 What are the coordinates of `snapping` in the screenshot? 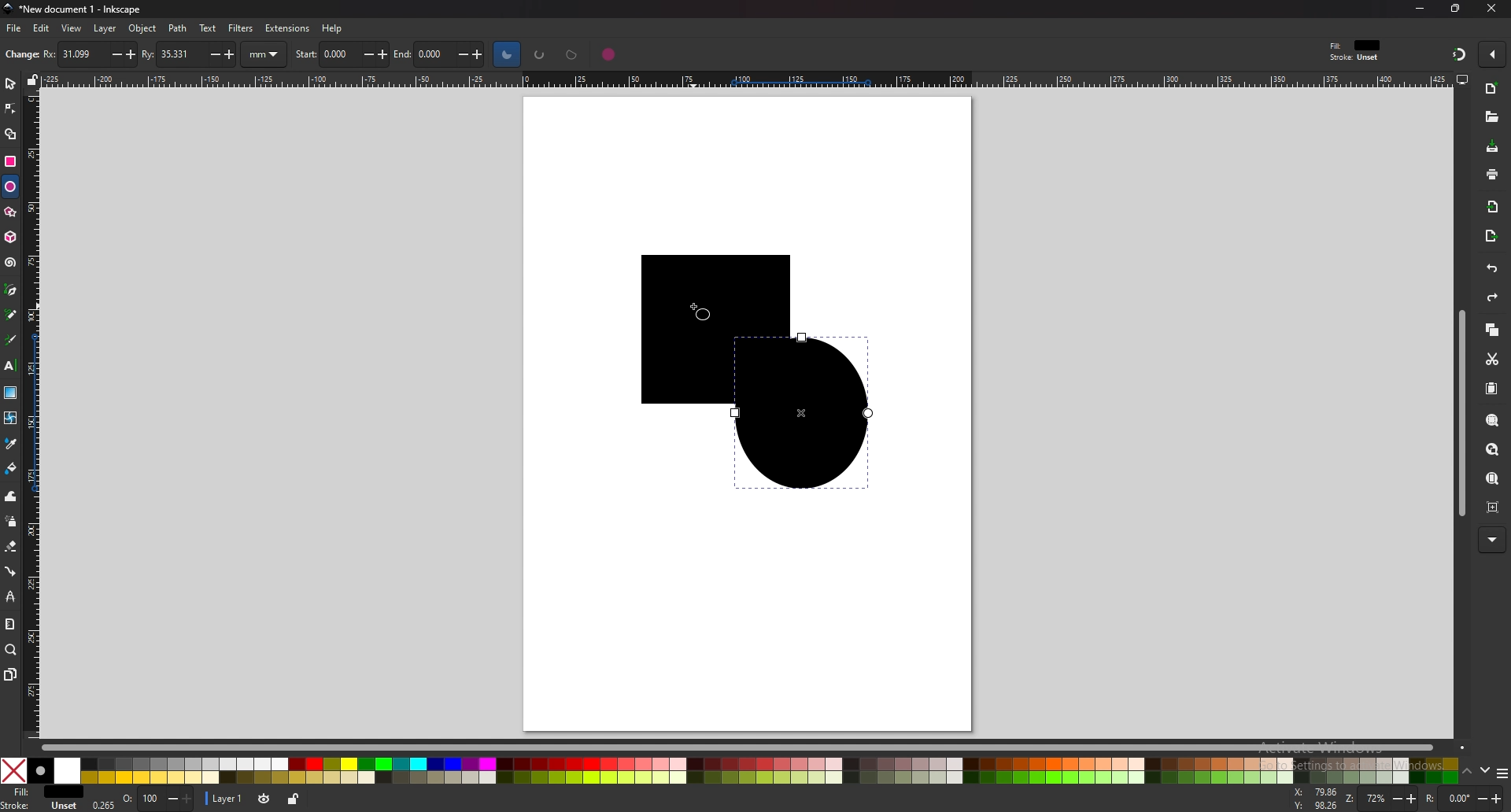 It's located at (1457, 54).